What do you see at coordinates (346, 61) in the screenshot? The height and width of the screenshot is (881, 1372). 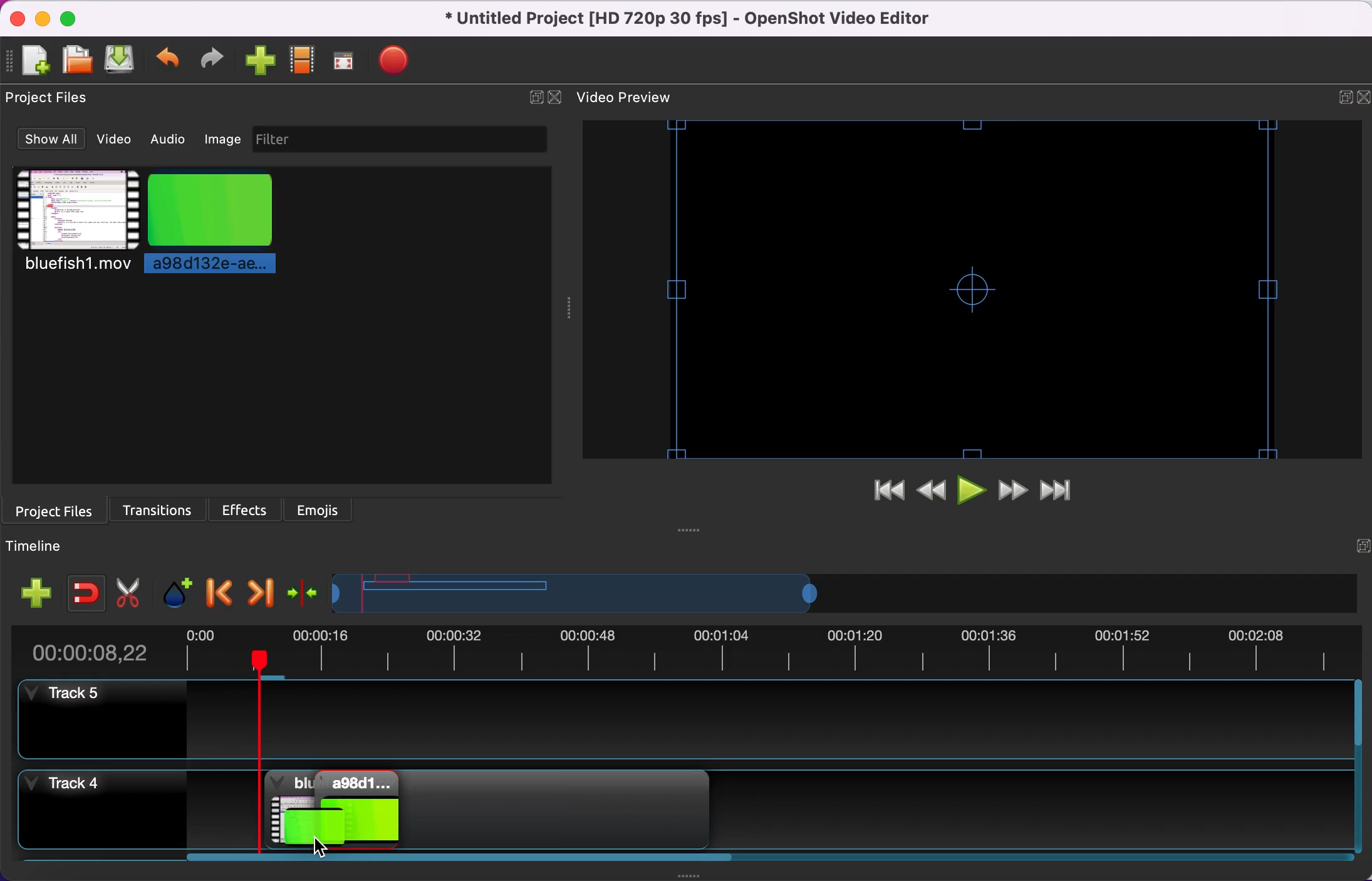 I see `fullscreen` at bounding box center [346, 61].